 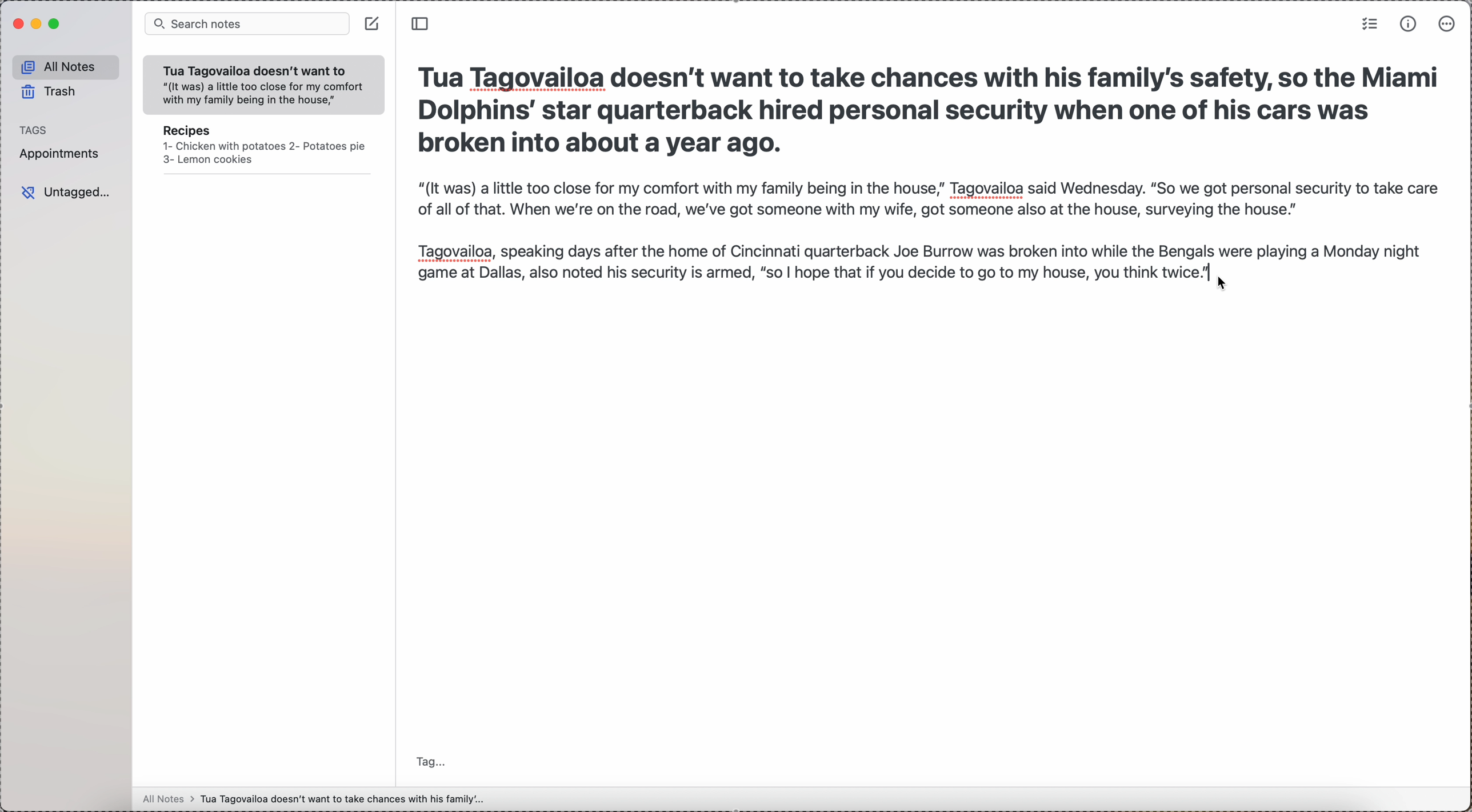 What do you see at coordinates (427, 761) in the screenshot?
I see `tag` at bounding box center [427, 761].